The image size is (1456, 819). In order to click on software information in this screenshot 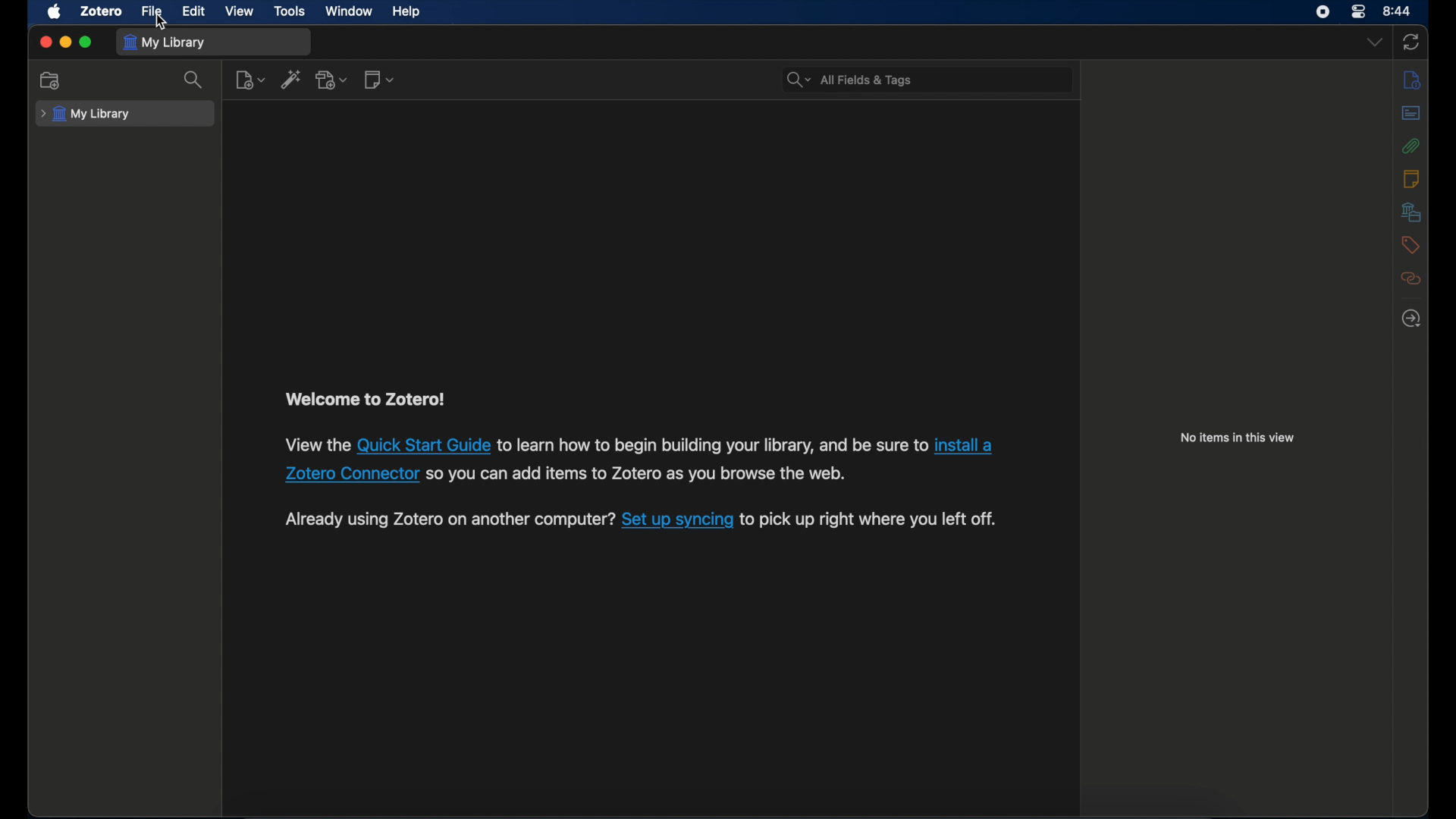, I will do `click(635, 473)`.